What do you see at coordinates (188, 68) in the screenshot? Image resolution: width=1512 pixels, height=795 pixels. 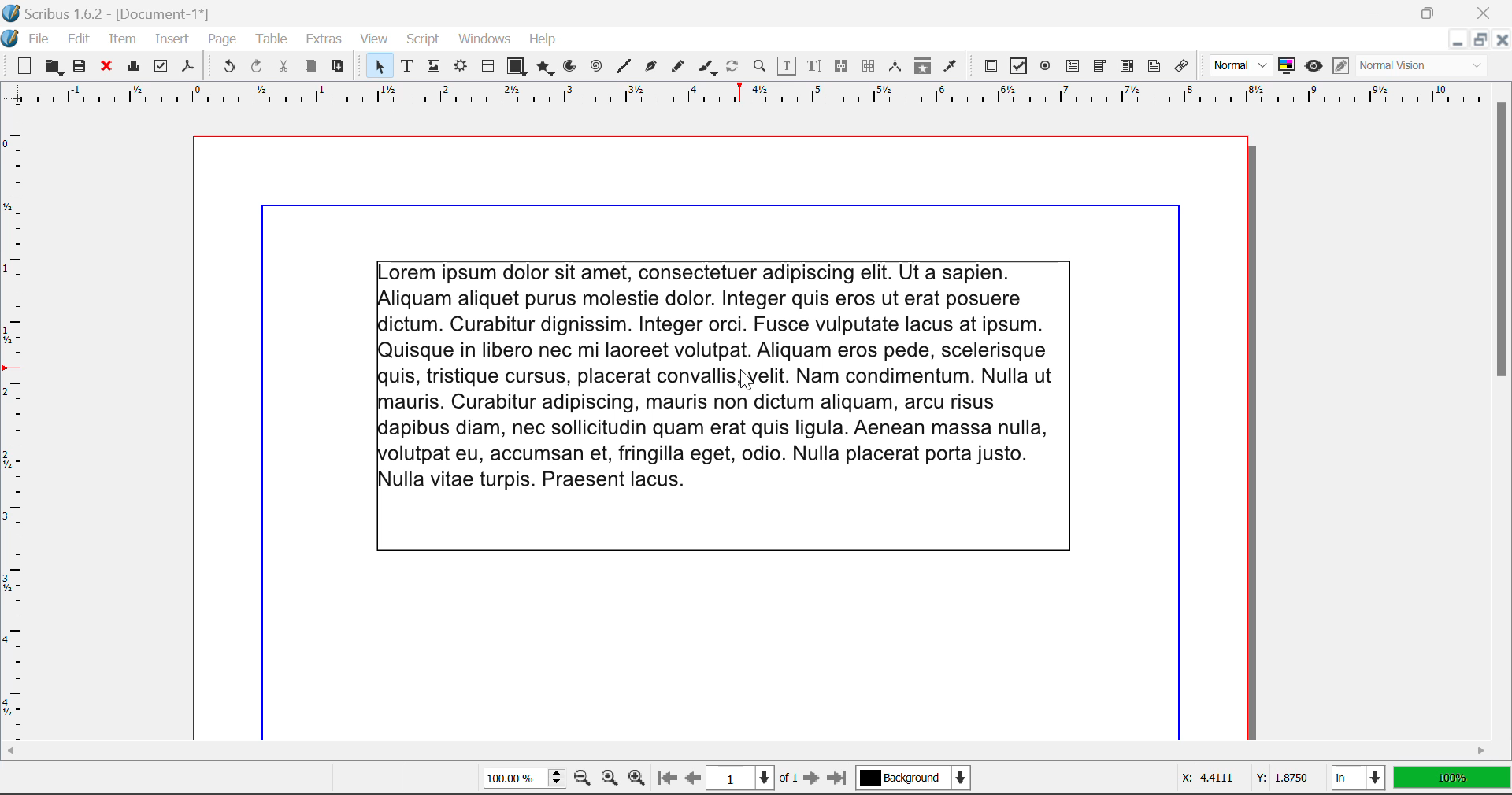 I see `Save as Pdf` at bounding box center [188, 68].